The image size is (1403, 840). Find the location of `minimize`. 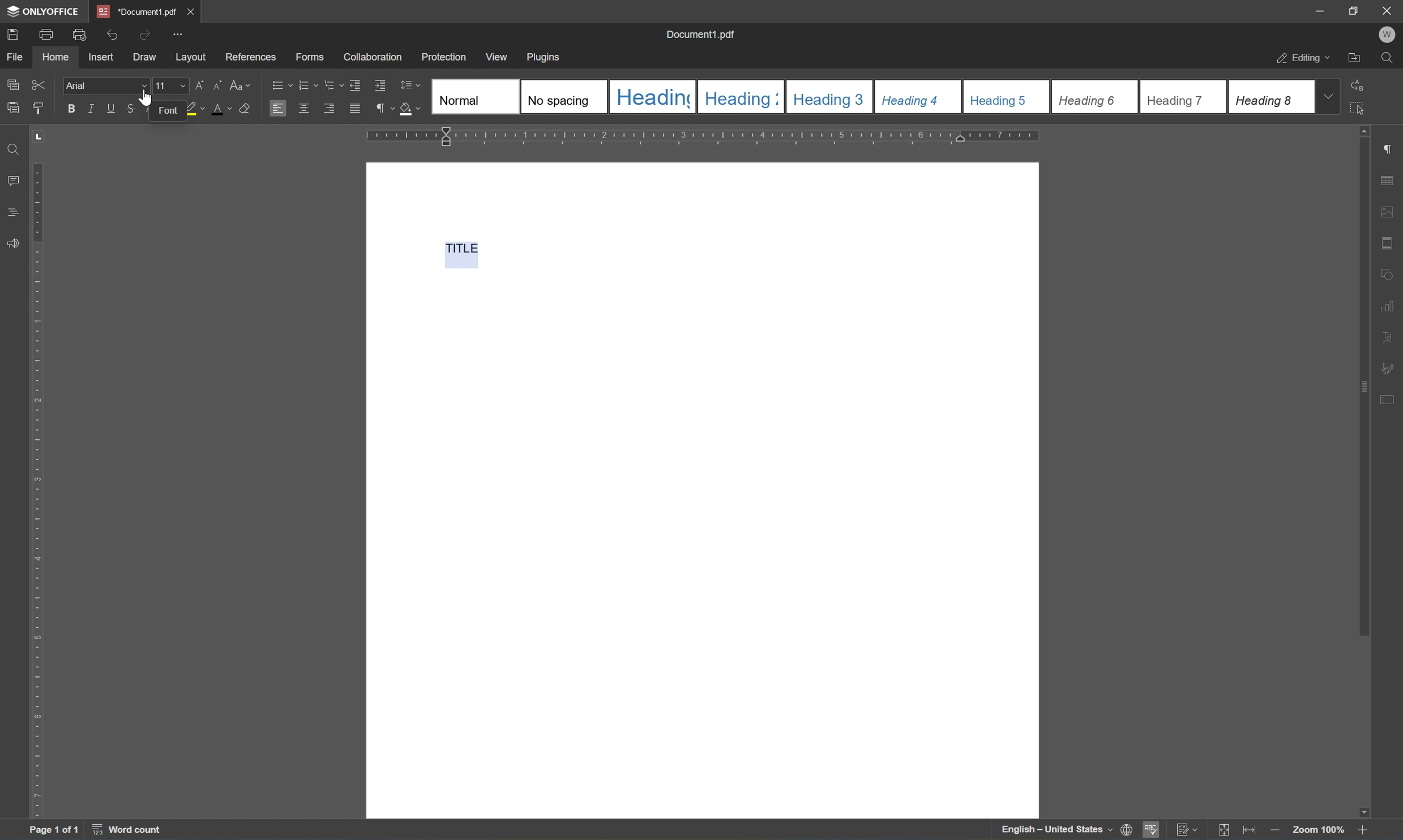

minimize is located at coordinates (1319, 11).